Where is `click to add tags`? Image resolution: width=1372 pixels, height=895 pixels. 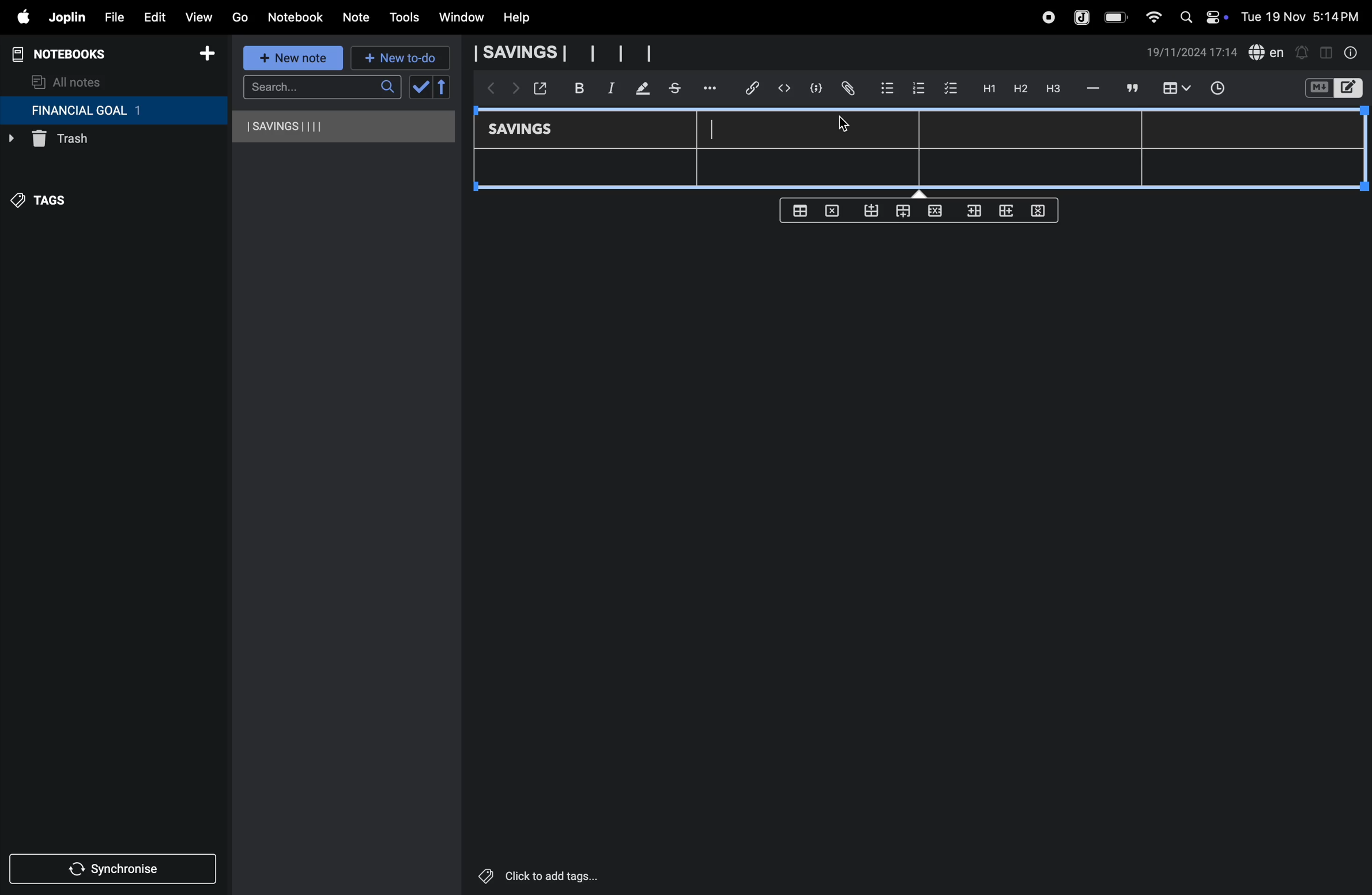 click to add tags is located at coordinates (567, 875).